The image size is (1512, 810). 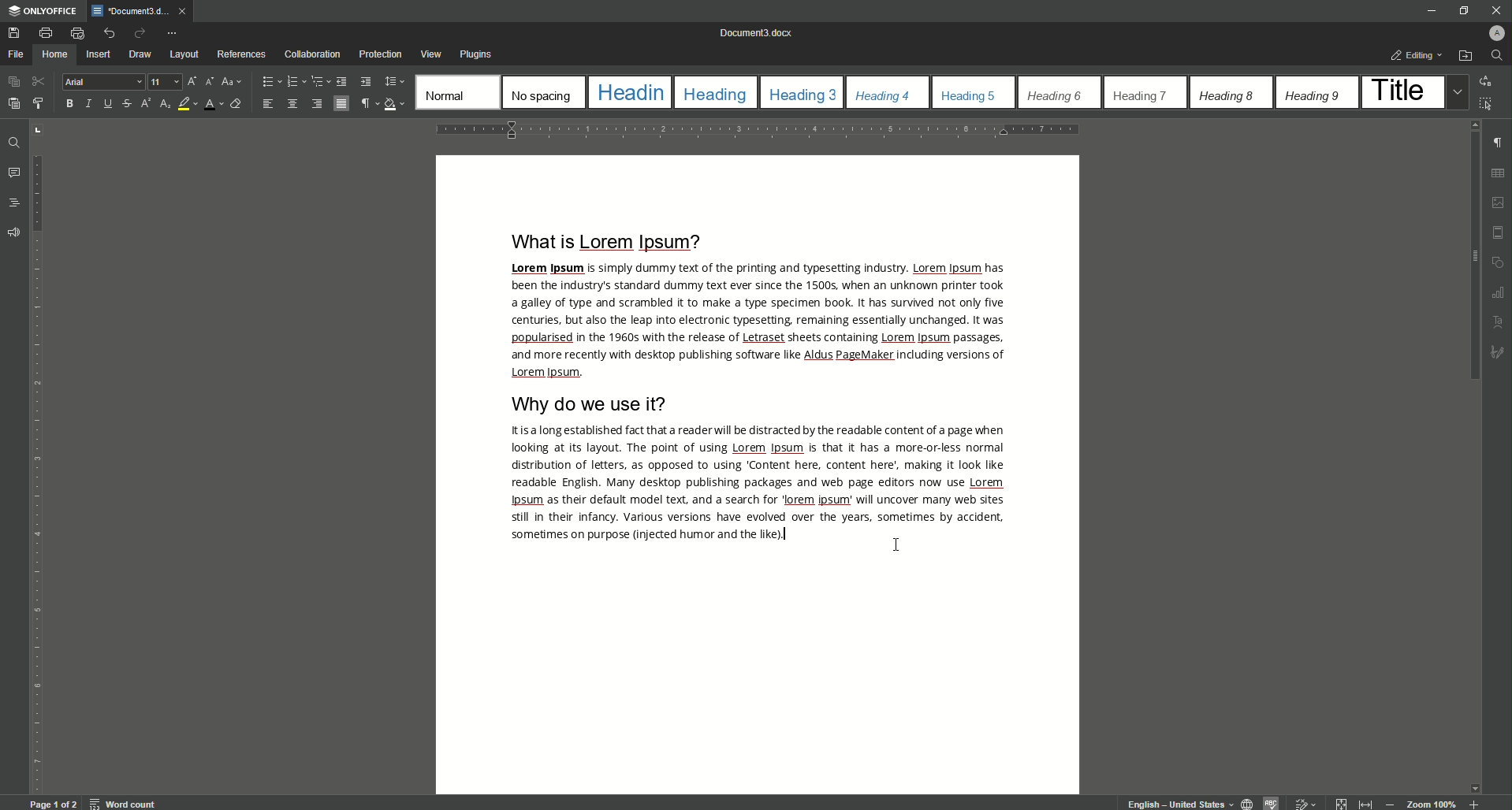 I want to click on Comments, so click(x=17, y=172).